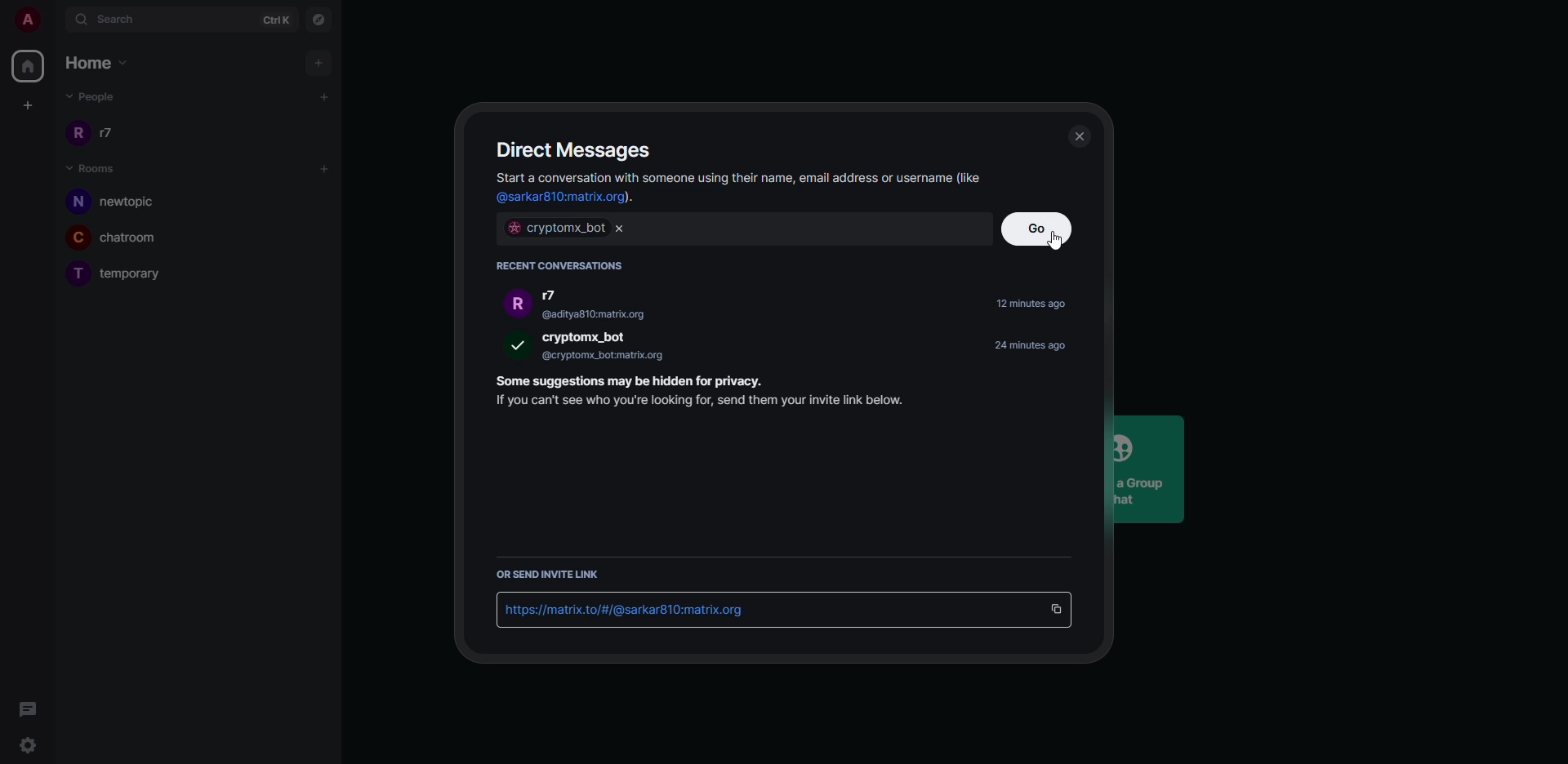 The height and width of the screenshot is (764, 1568). I want to click on create space, so click(28, 104).